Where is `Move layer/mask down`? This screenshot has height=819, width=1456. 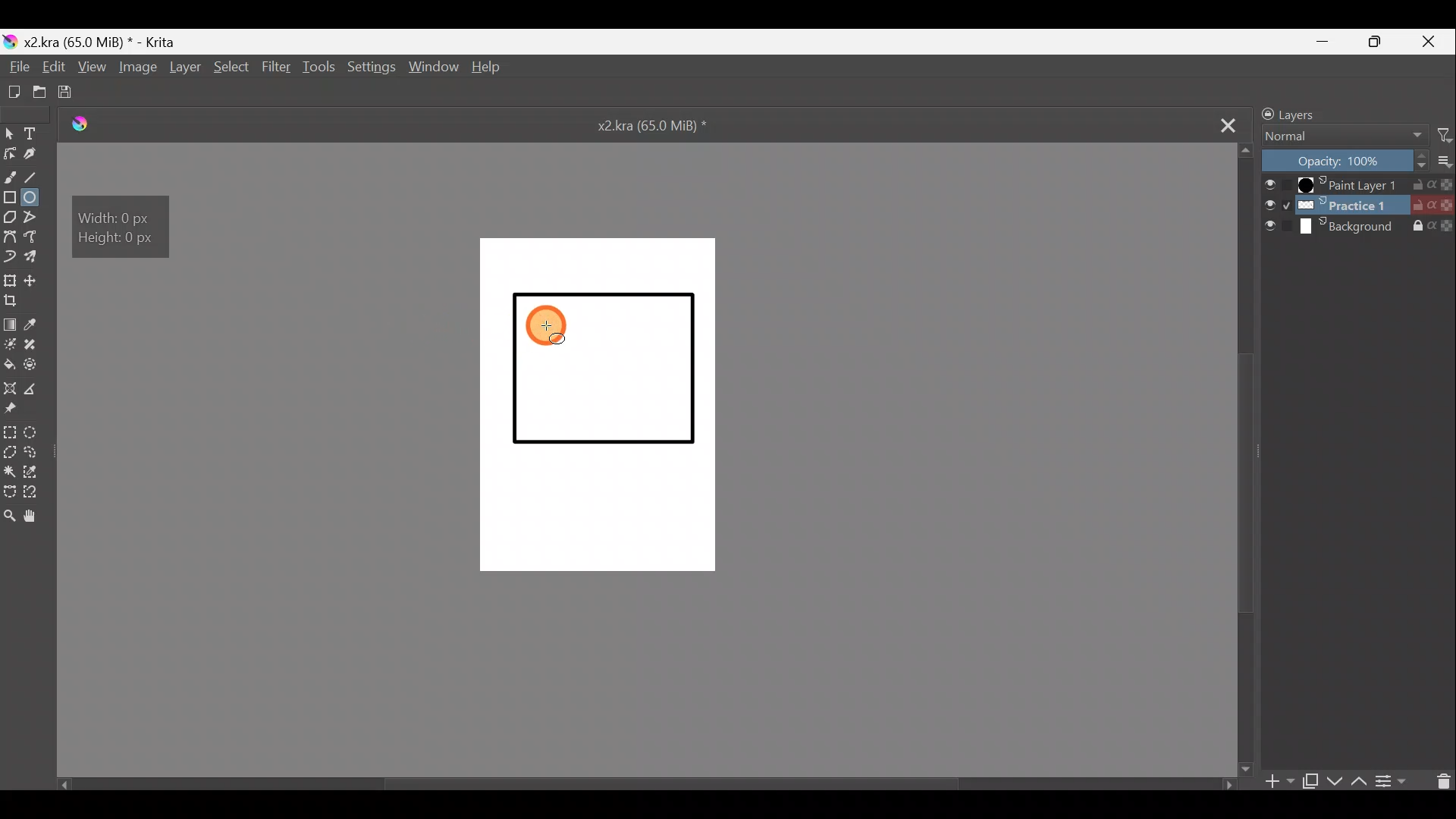 Move layer/mask down is located at coordinates (1335, 776).